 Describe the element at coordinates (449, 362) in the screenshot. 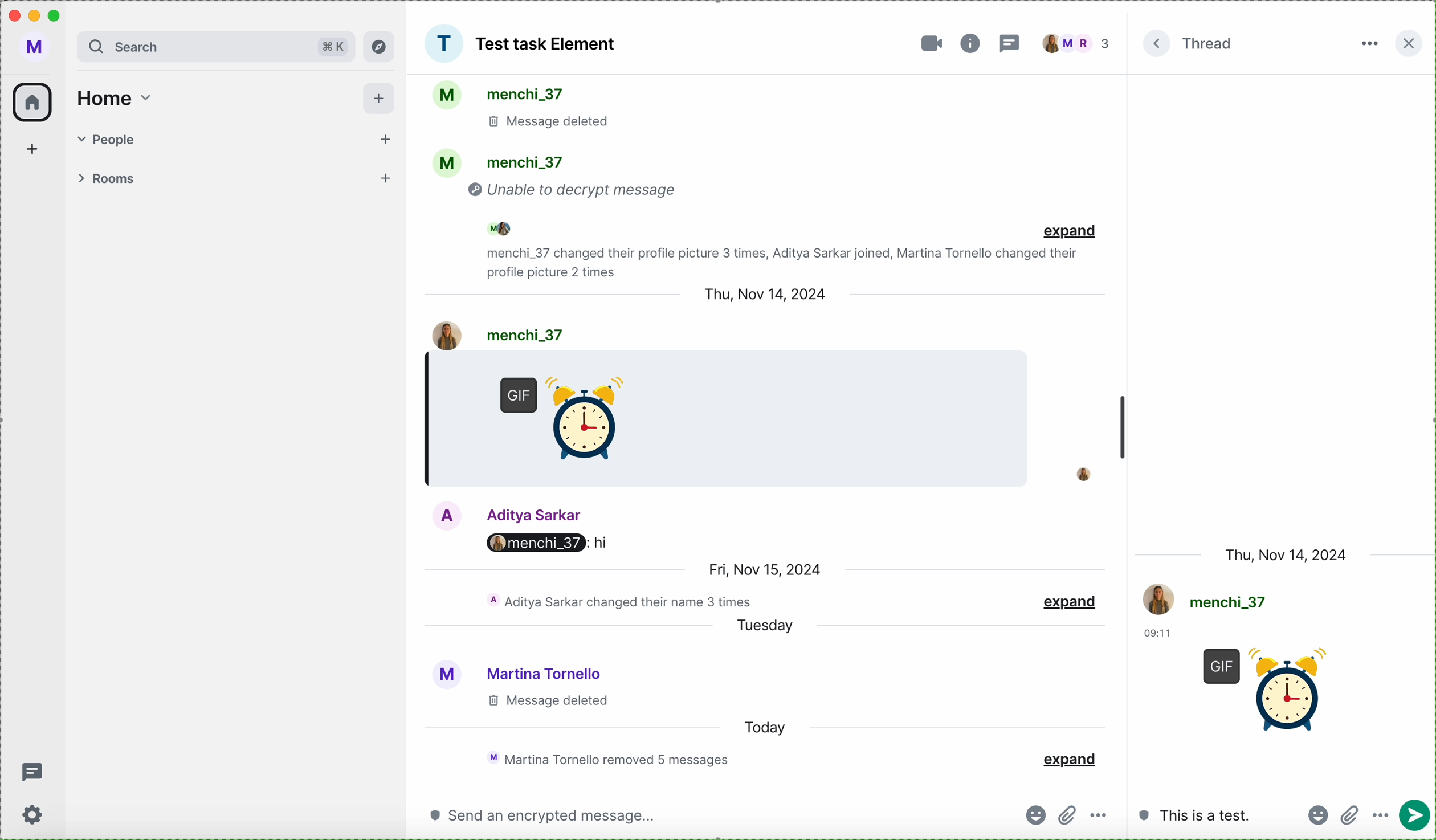

I see `hour` at that location.